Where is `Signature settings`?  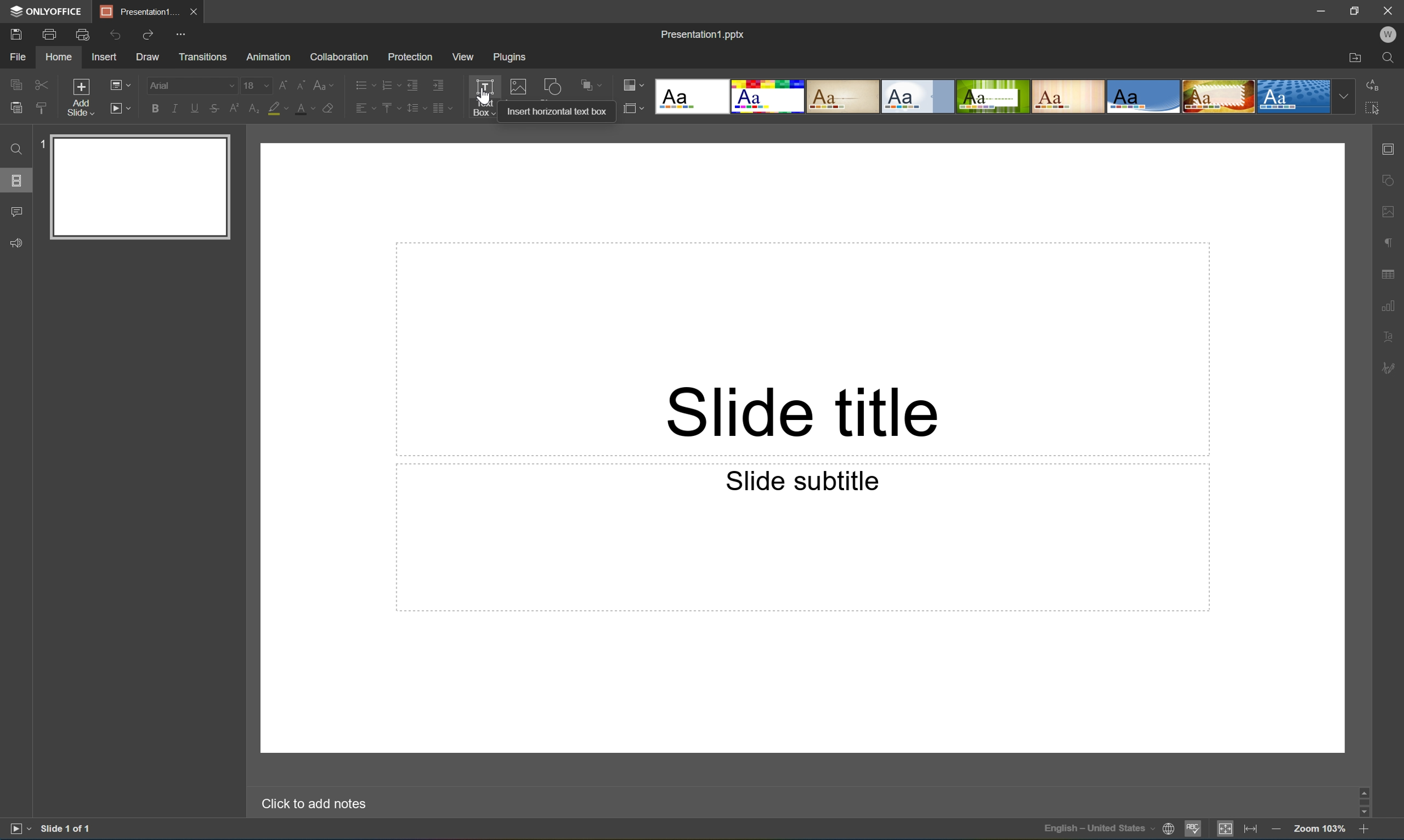
Signature settings is located at coordinates (1391, 367).